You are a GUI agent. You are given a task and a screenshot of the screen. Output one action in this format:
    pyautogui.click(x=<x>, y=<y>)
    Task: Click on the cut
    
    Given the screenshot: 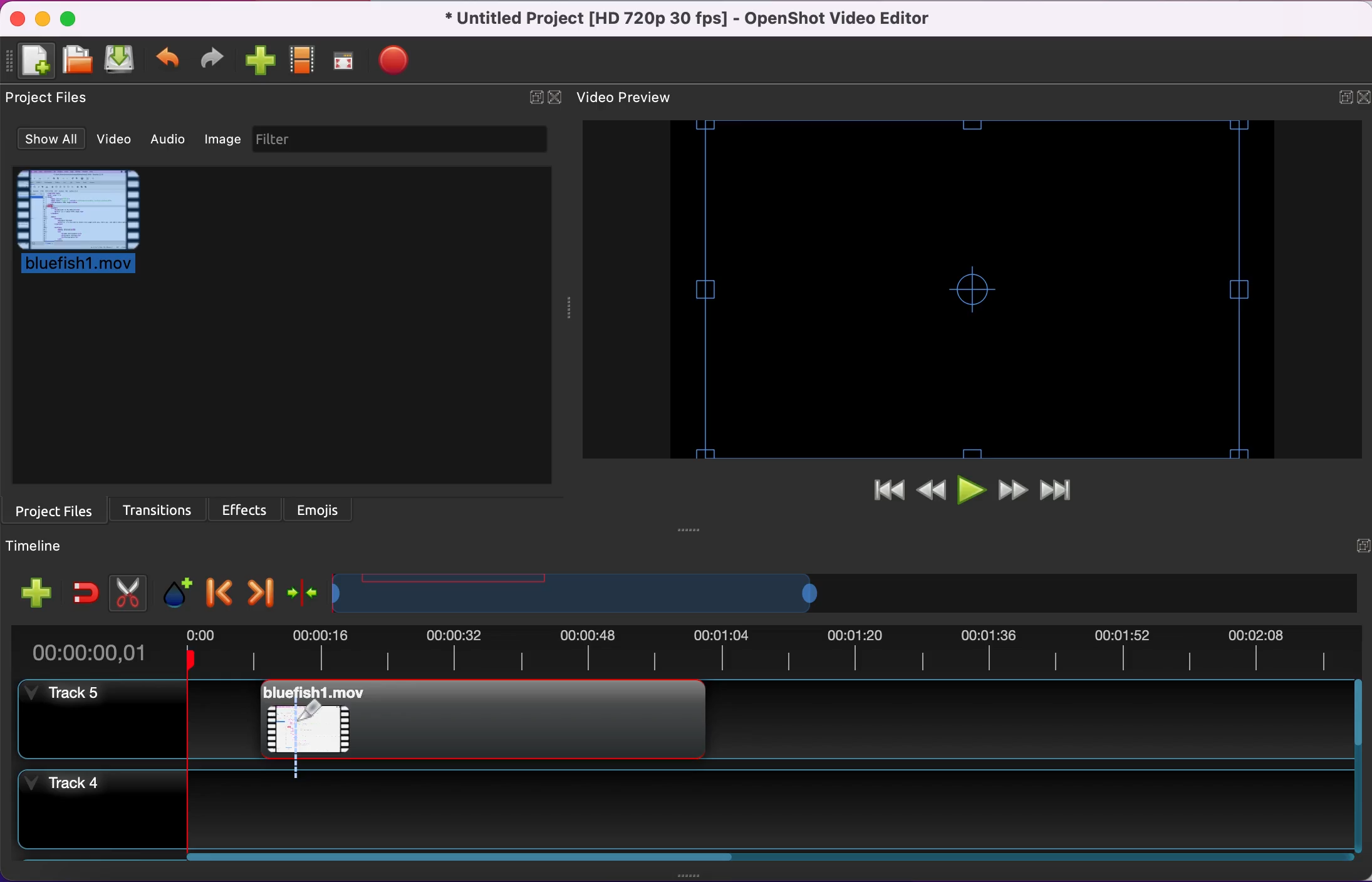 What is the action you would take?
    pyautogui.click(x=316, y=720)
    